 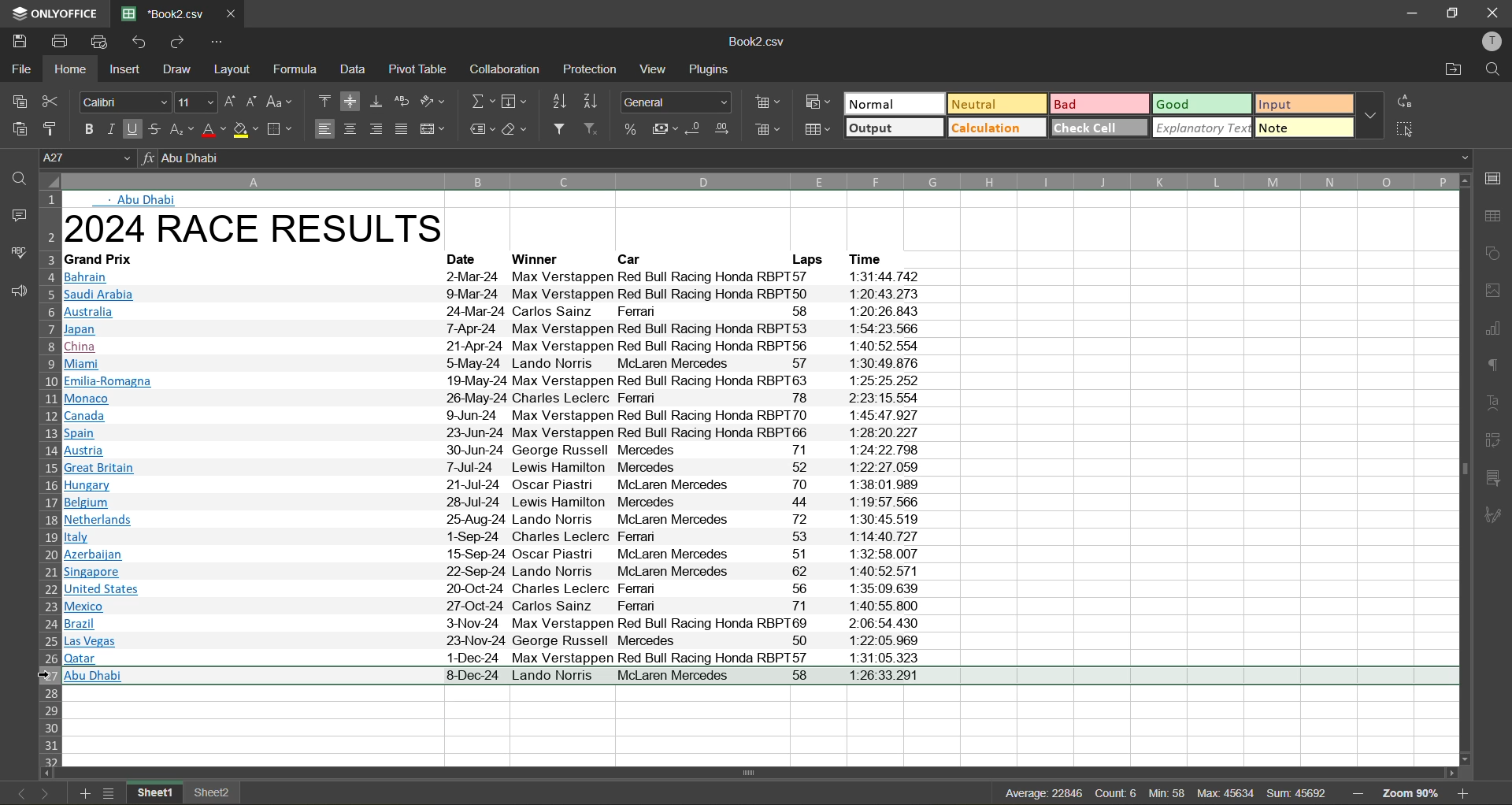 I want to click on shapes, so click(x=1495, y=254).